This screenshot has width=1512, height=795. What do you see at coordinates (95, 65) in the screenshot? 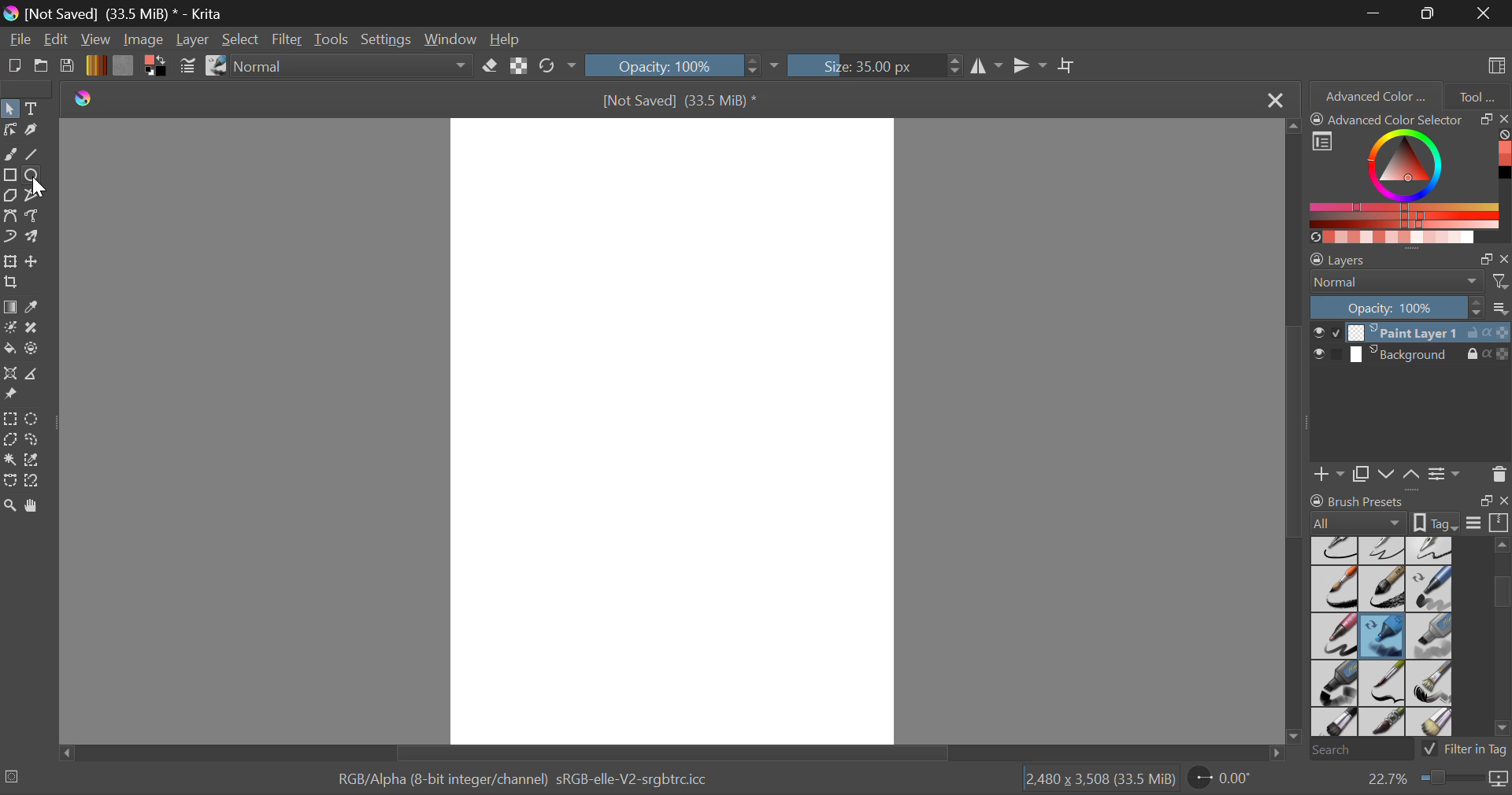
I see `Gradient` at bounding box center [95, 65].